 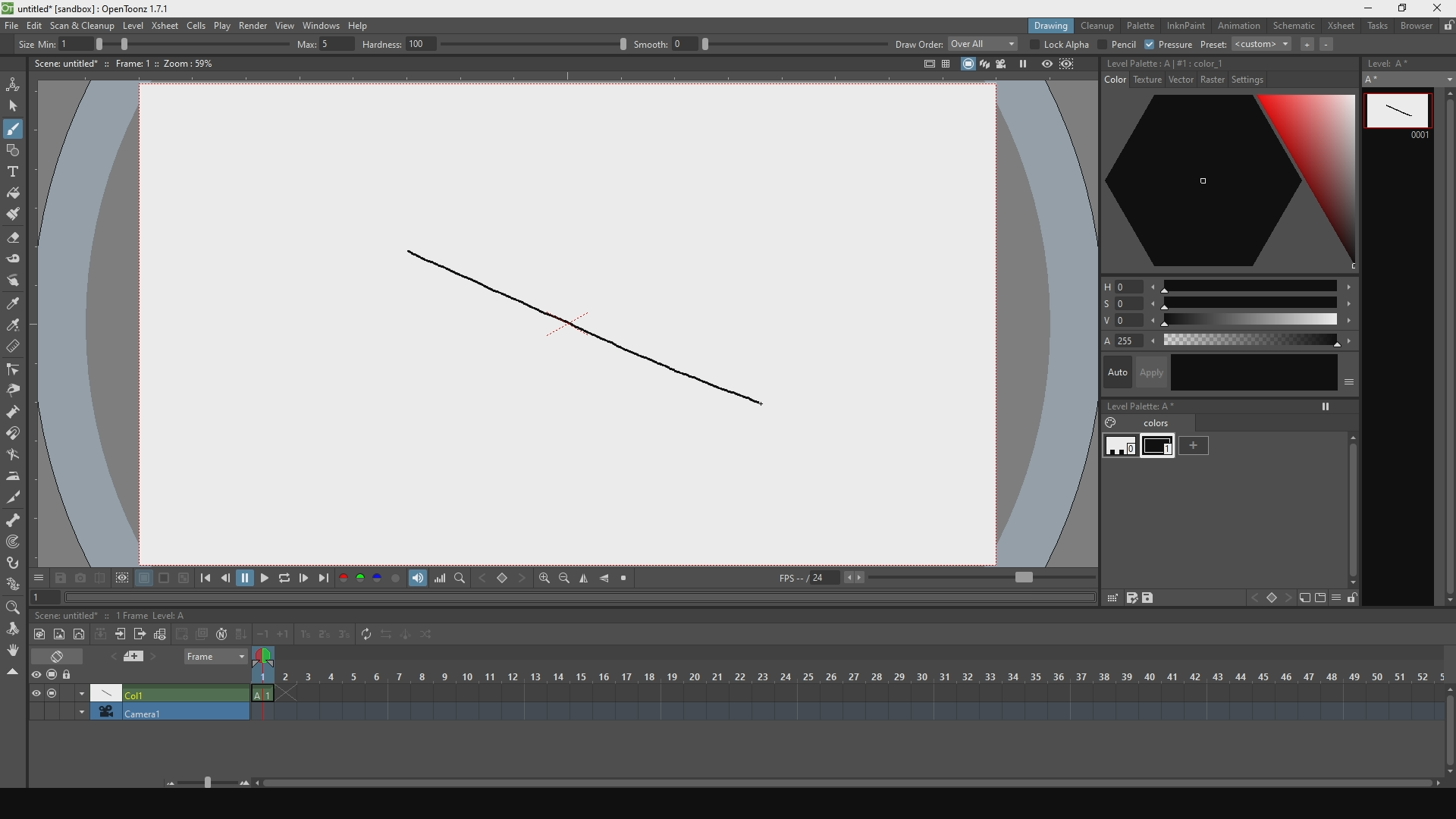 What do you see at coordinates (162, 692) in the screenshot?
I see `Col1` at bounding box center [162, 692].